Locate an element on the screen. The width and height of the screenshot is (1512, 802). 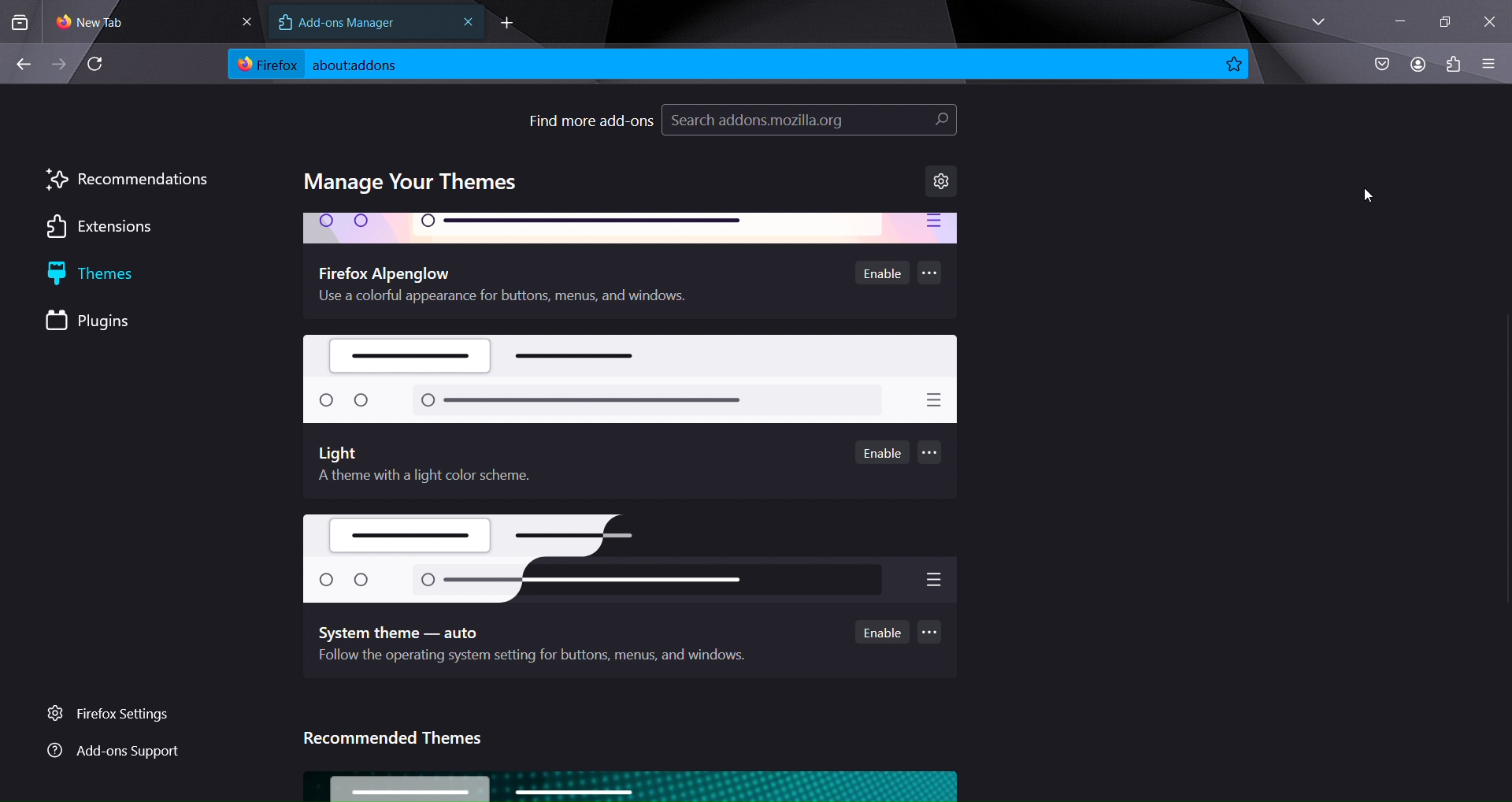
search tabs is located at coordinates (20, 22).